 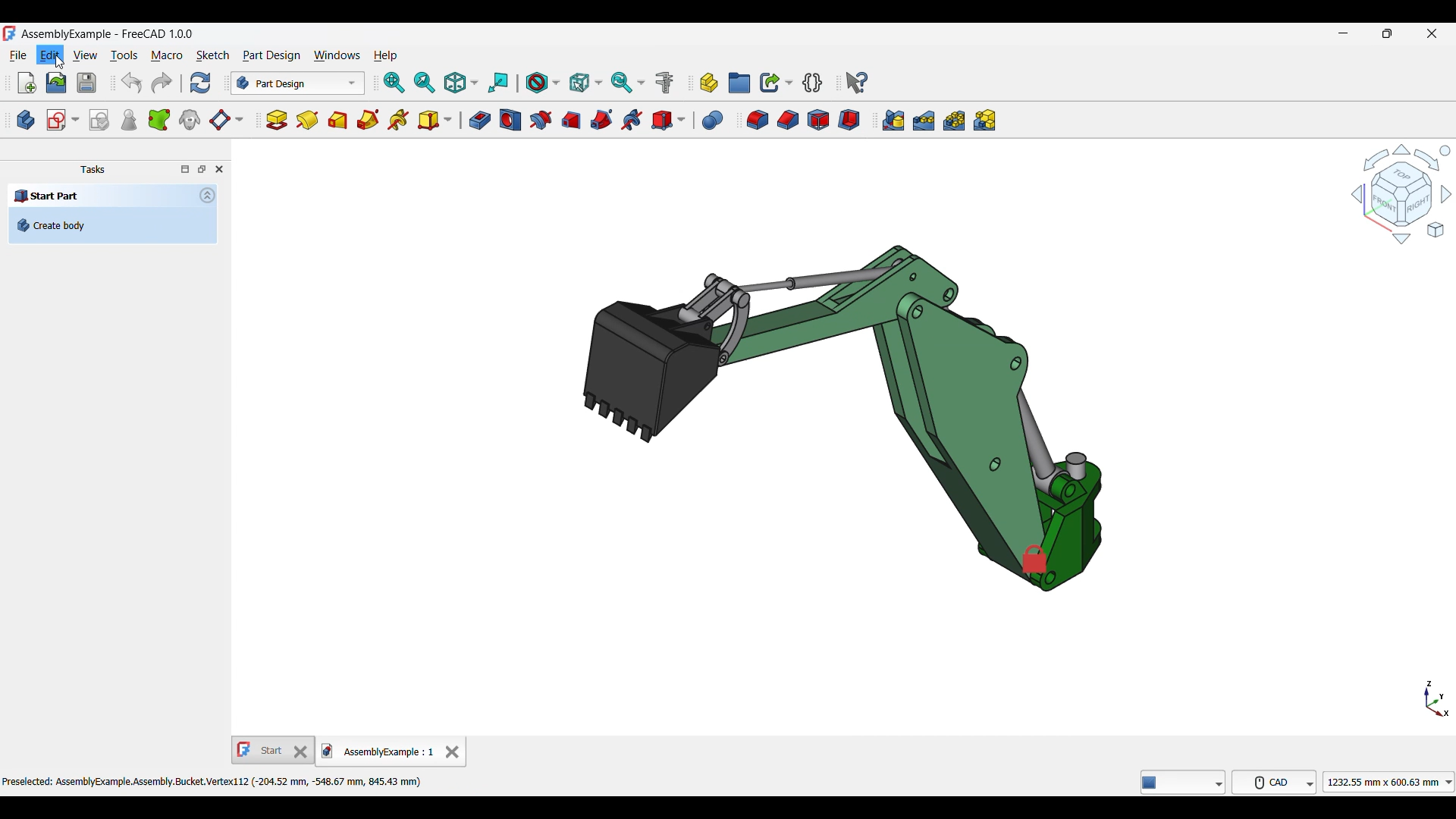 What do you see at coordinates (190, 119) in the screenshot?
I see `Create a clone` at bounding box center [190, 119].